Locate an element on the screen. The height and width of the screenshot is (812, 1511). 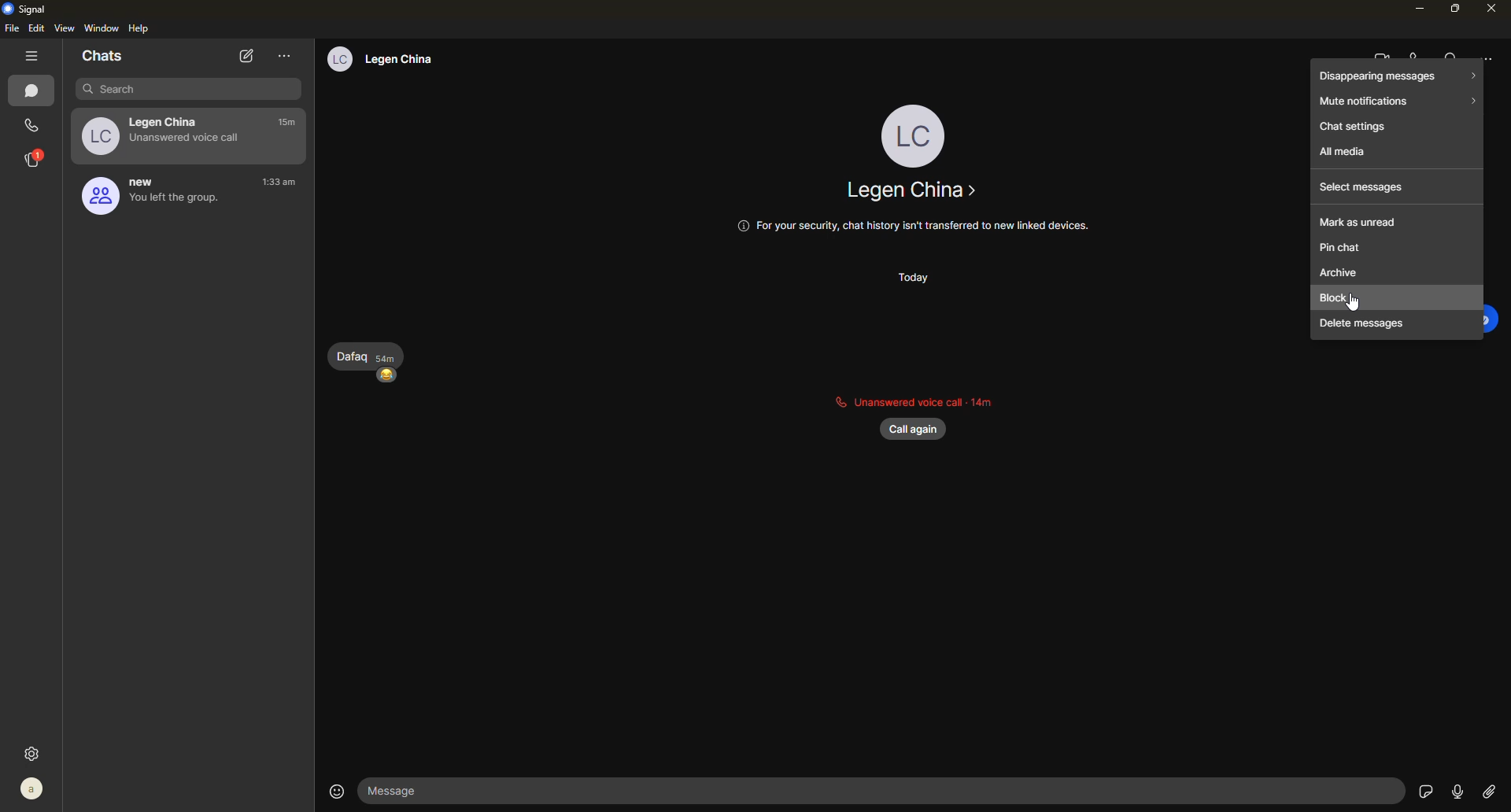
cursor is located at coordinates (1358, 304).